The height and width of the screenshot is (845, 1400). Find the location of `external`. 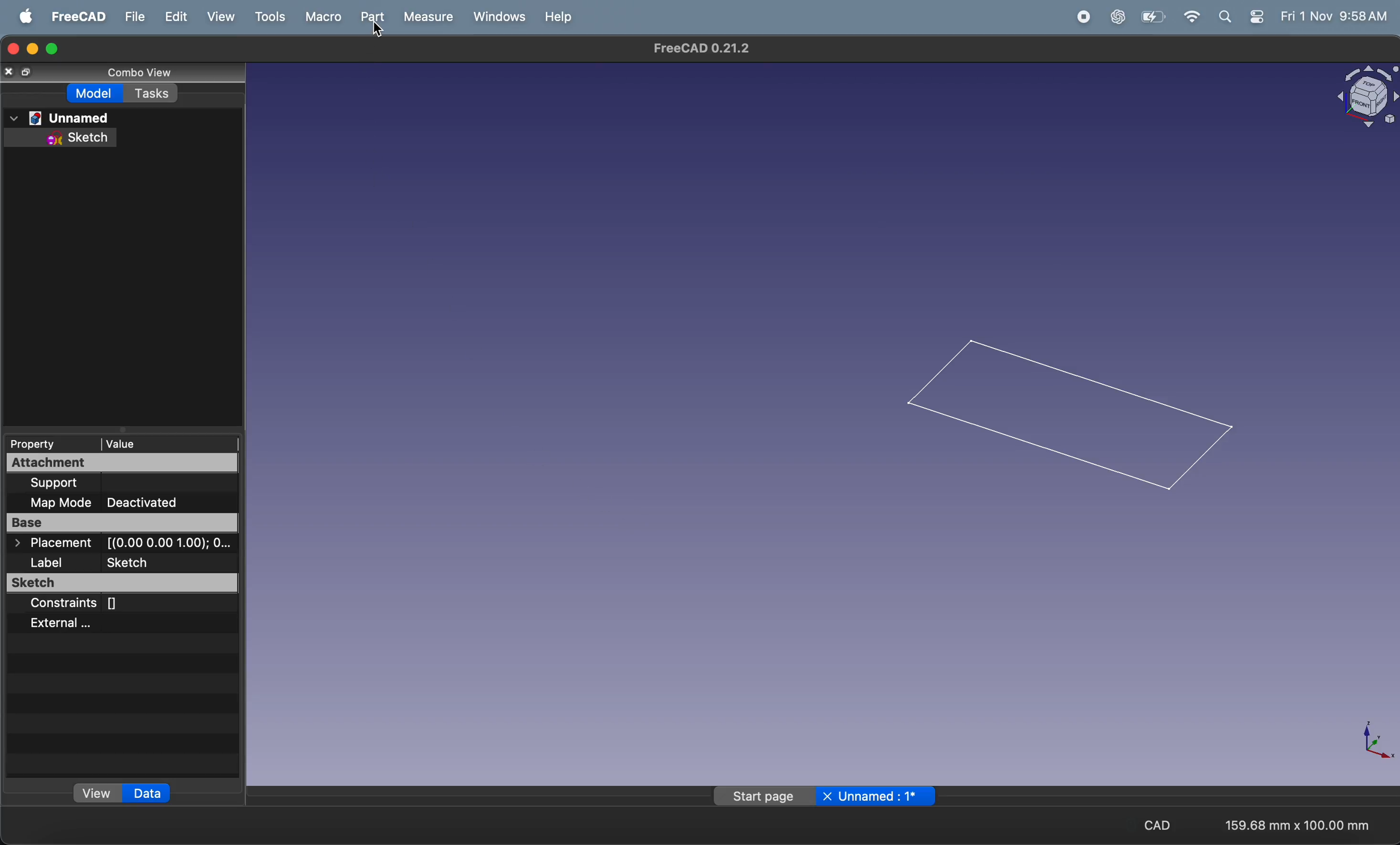

external is located at coordinates (77, 622).